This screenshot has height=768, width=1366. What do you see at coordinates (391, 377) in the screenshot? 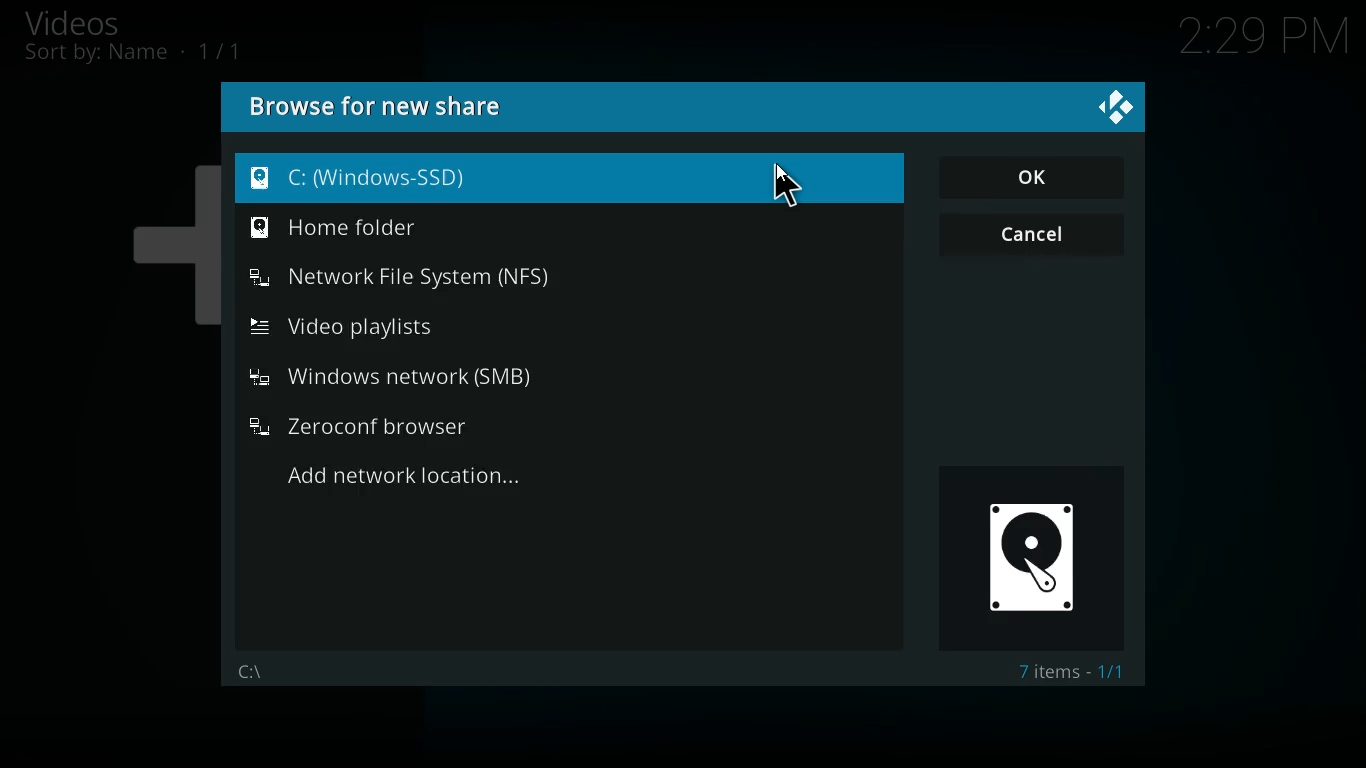
I see `Y2 Windows network (SMB)` at bounding box center [391, 377].